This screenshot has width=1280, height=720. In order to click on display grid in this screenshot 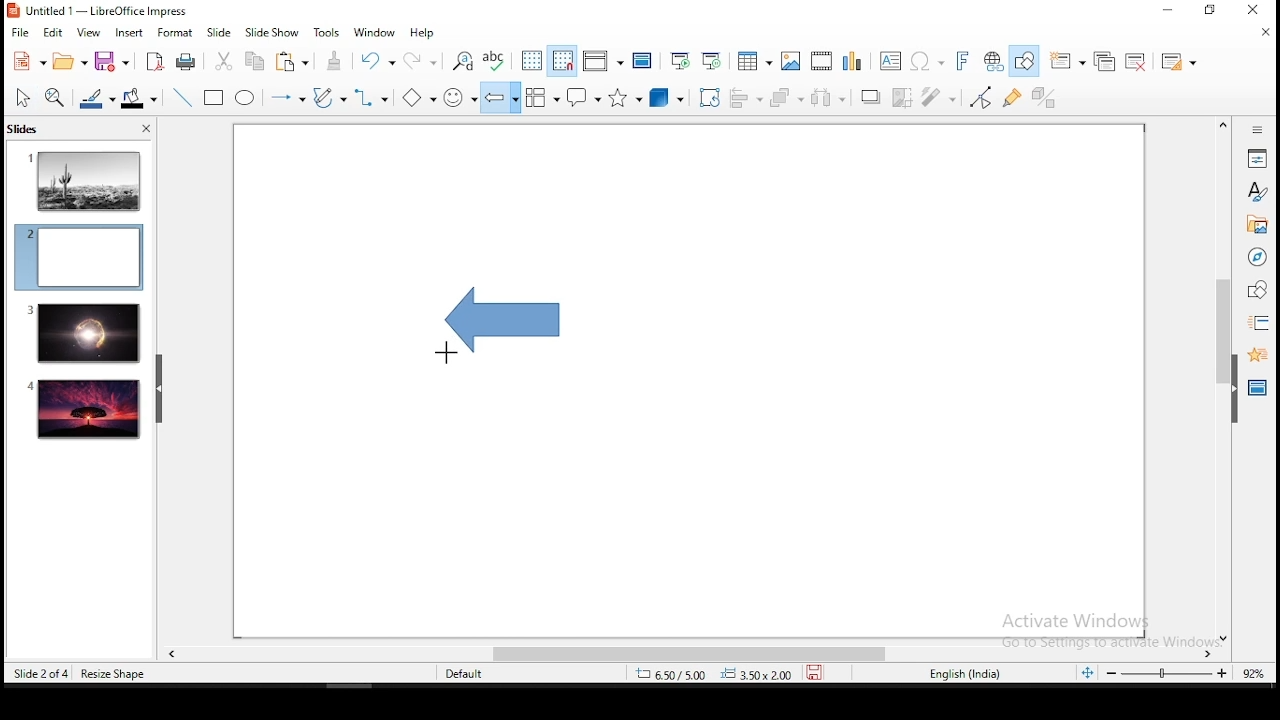, I will do `click(529, 61)`.